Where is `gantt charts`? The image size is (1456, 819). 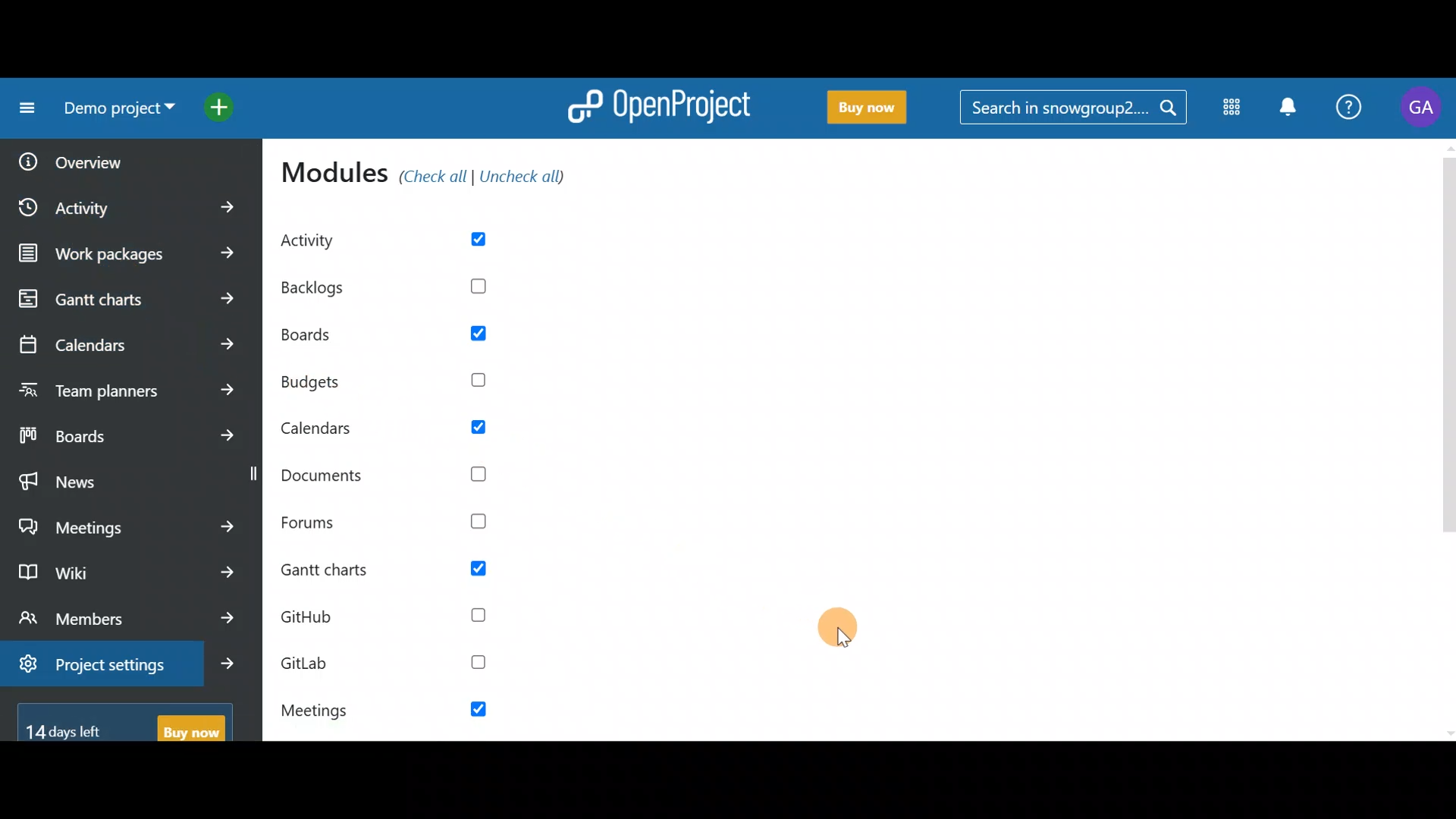 gantt charts is located at coordinates (129, 299).